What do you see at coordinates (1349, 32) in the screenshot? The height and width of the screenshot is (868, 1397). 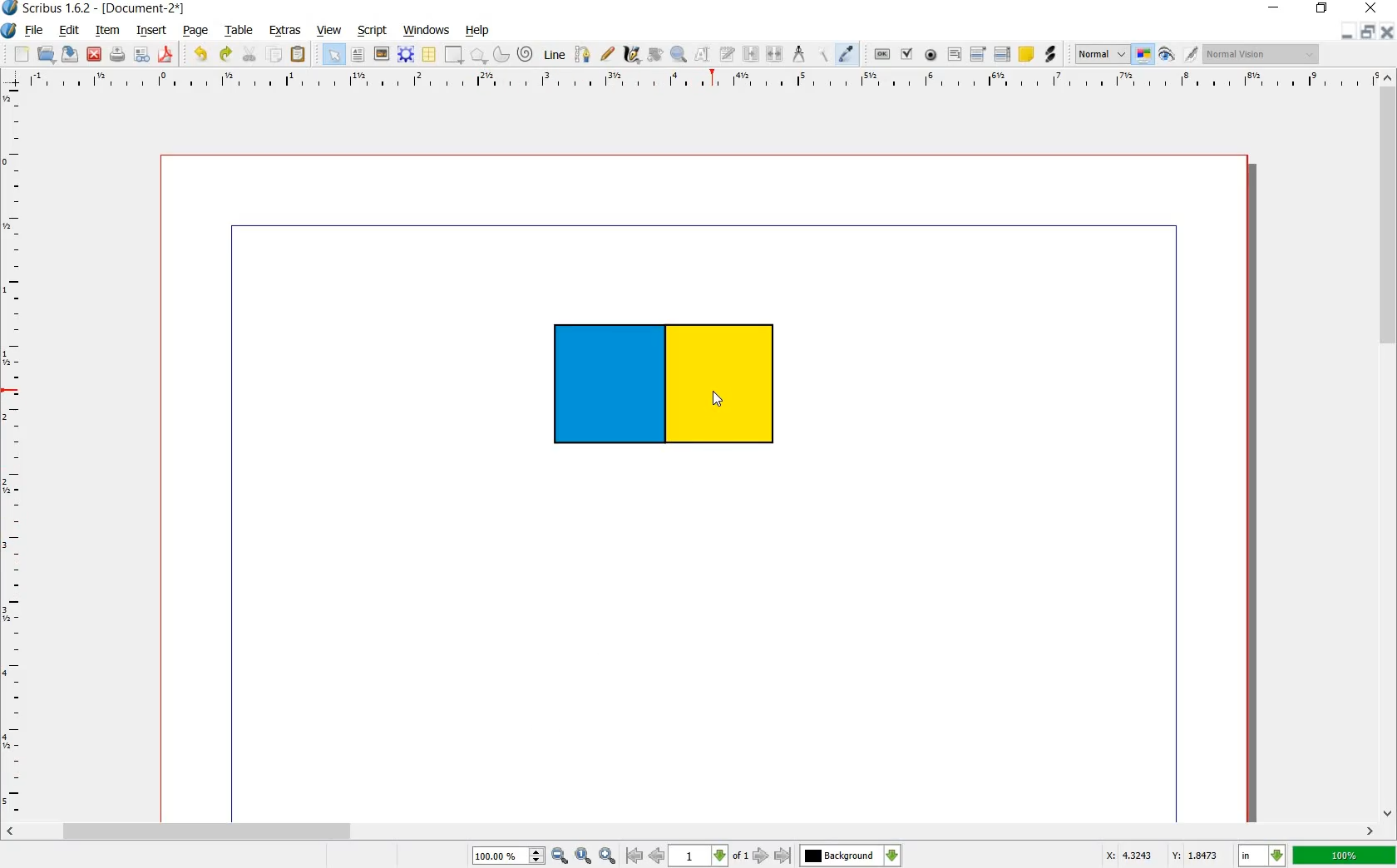 I see `minimize` at bounding box center [1349, 32].